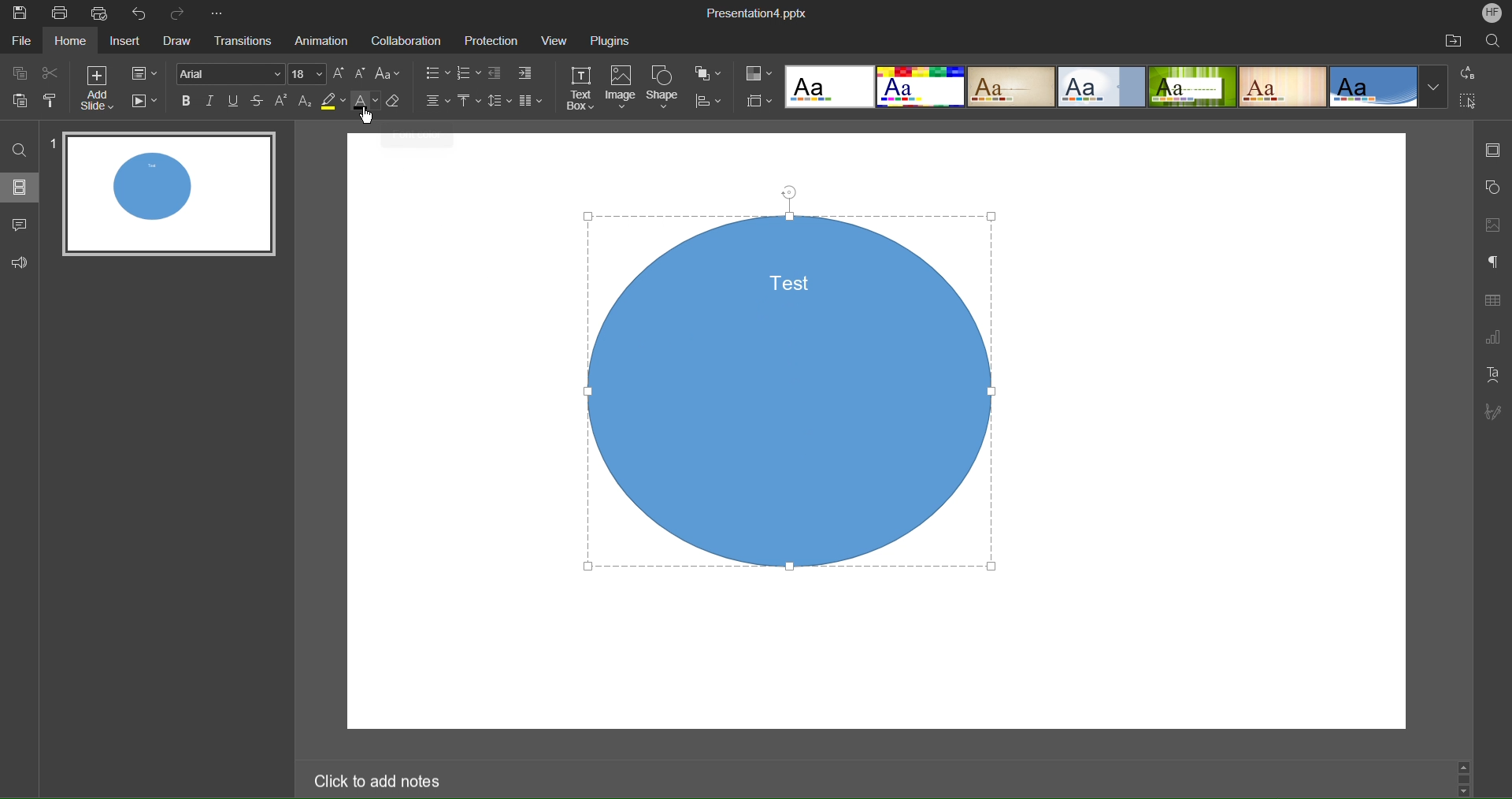  I want to click on Select All, so click(1470, 100).